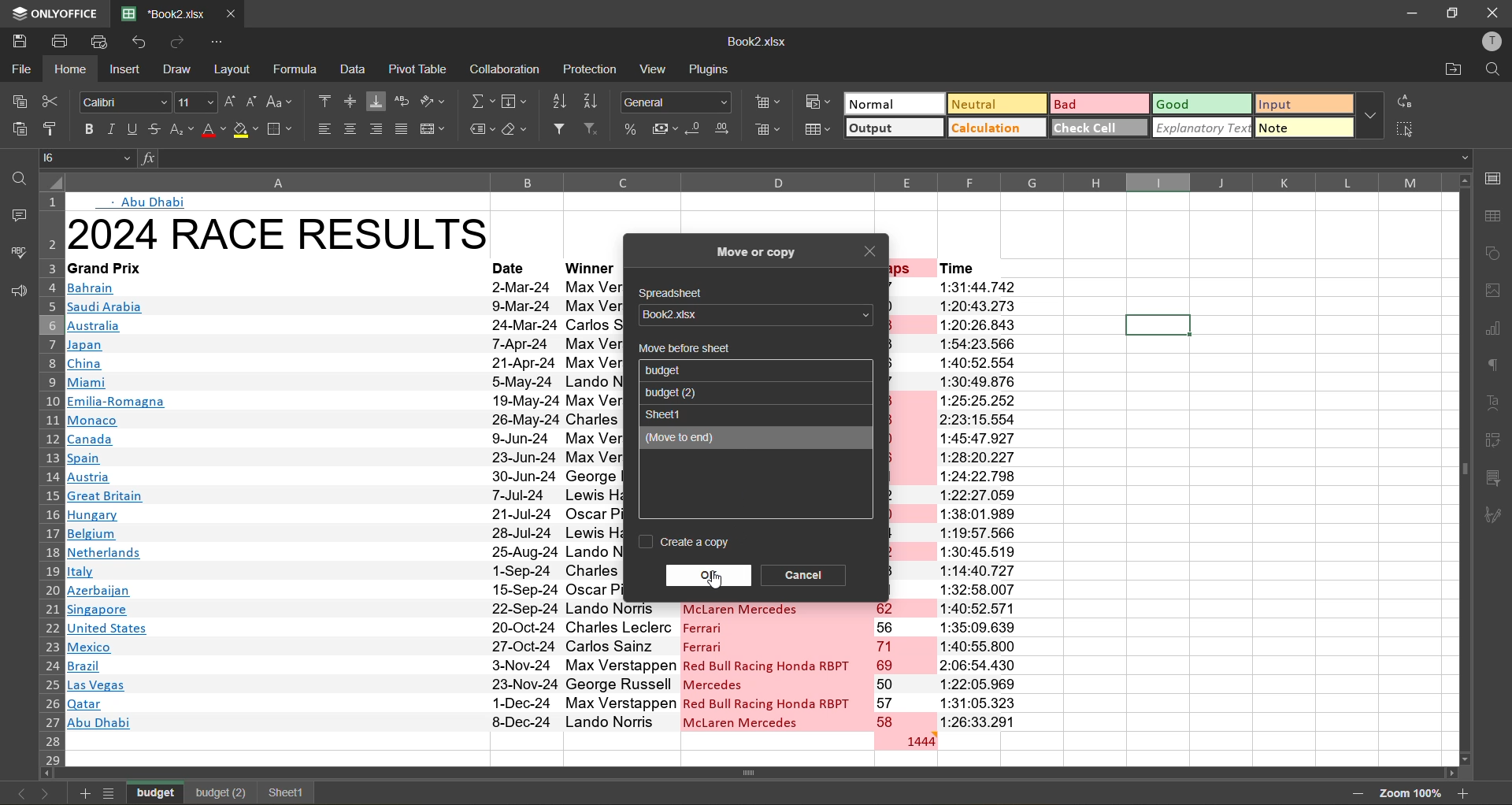 The height and width of the screenshot is (805, 1512). I want to click on number format, so click(679, 101).